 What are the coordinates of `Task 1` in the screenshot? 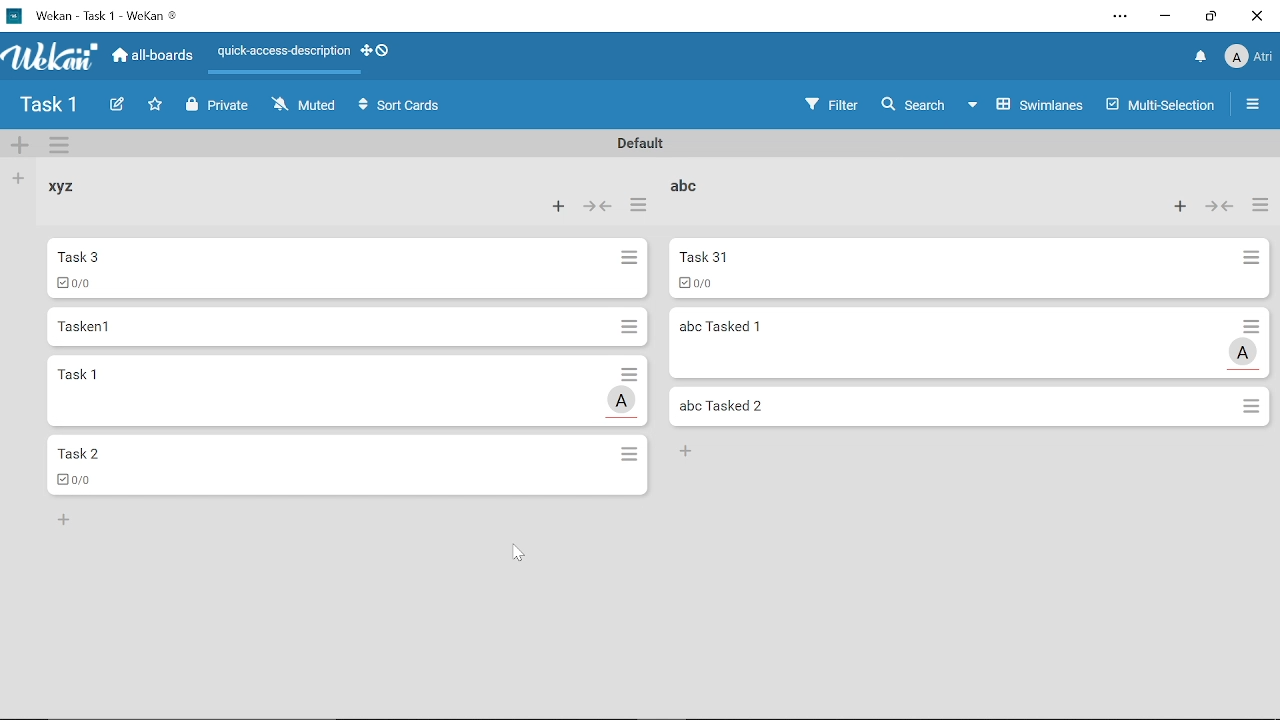 It's located at (340, 392).